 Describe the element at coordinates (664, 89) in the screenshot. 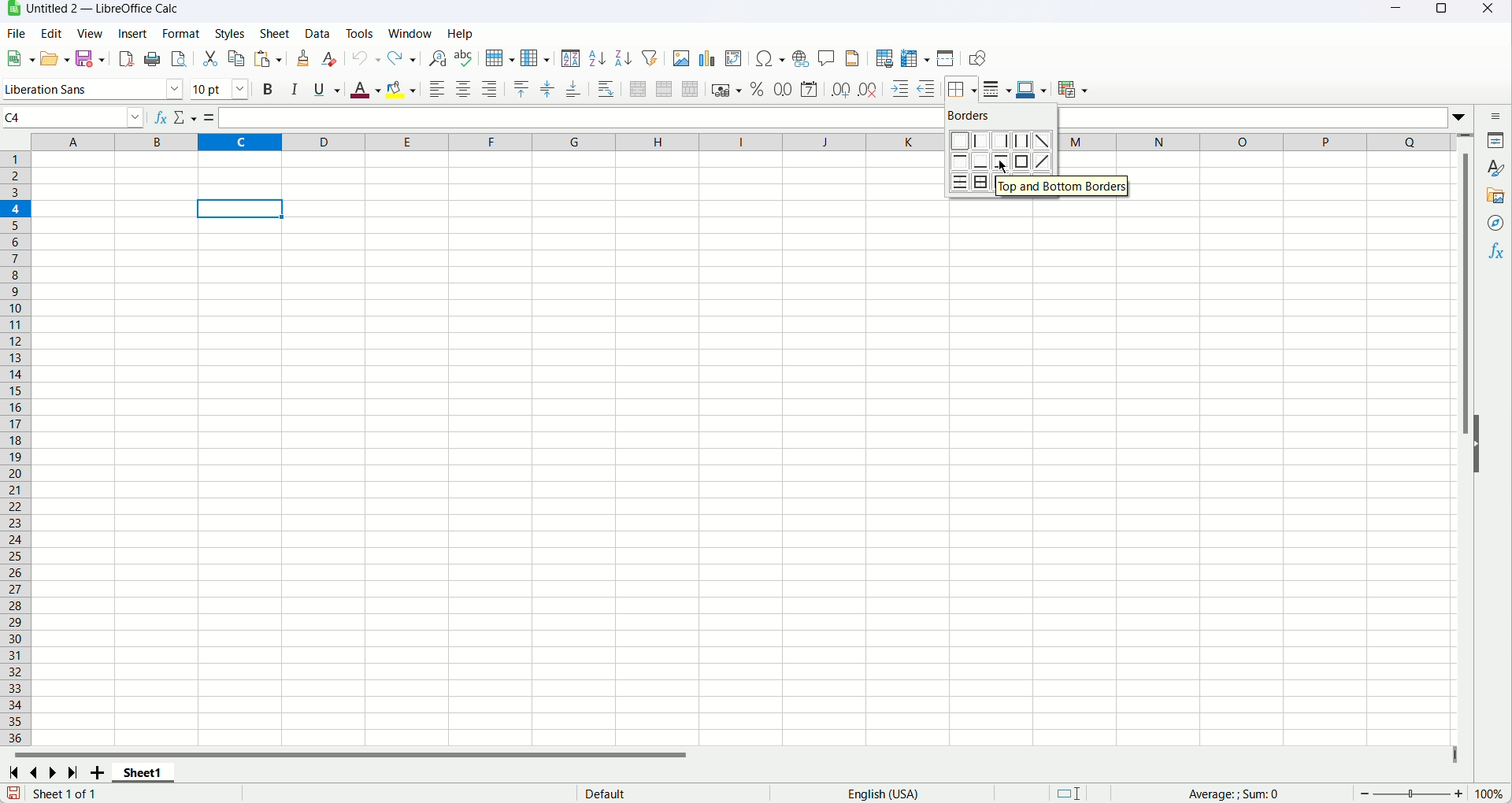

I see `Merge cells` at that location.